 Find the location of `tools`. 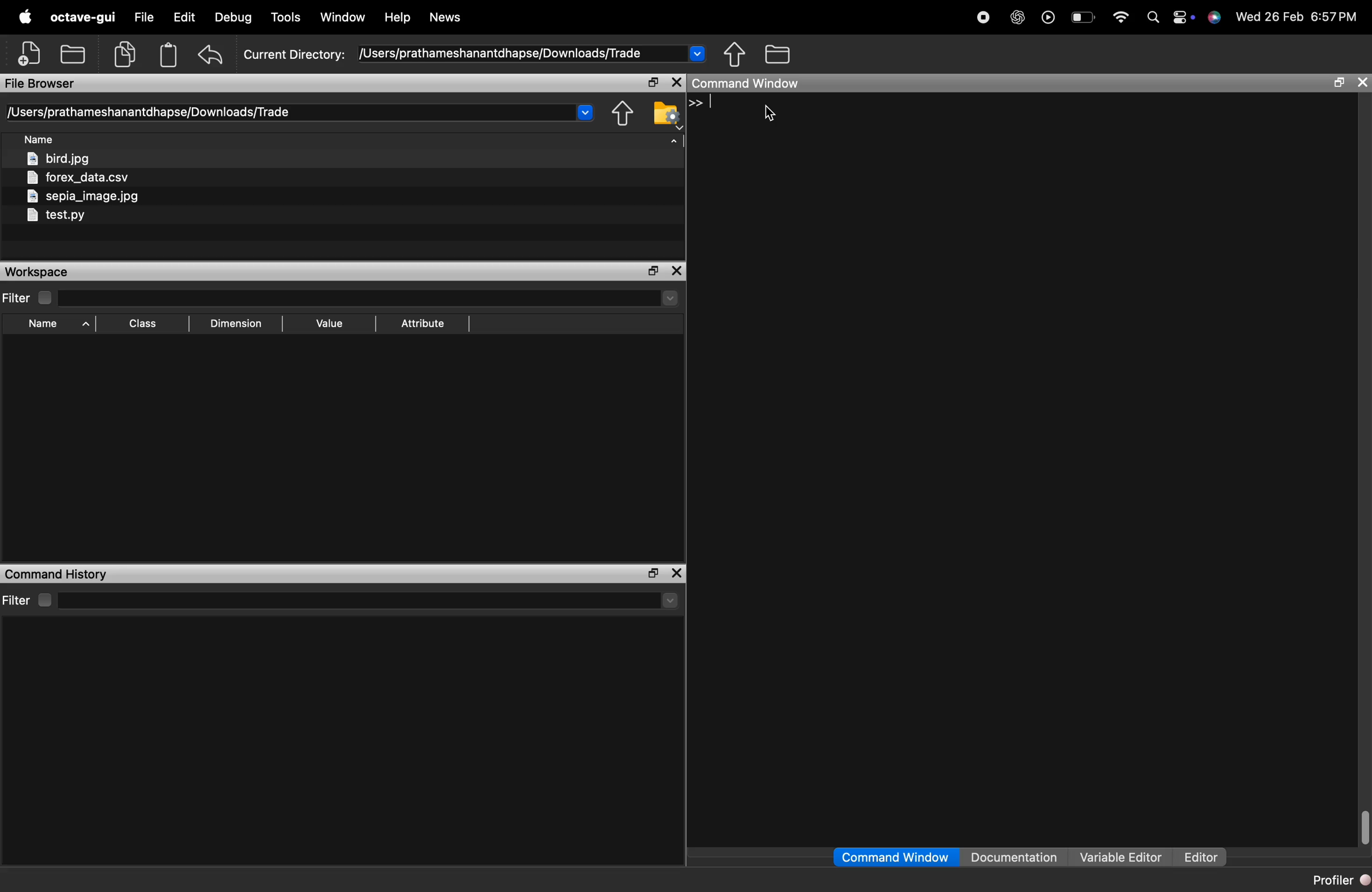

tools is located at coordinates (288, 17).